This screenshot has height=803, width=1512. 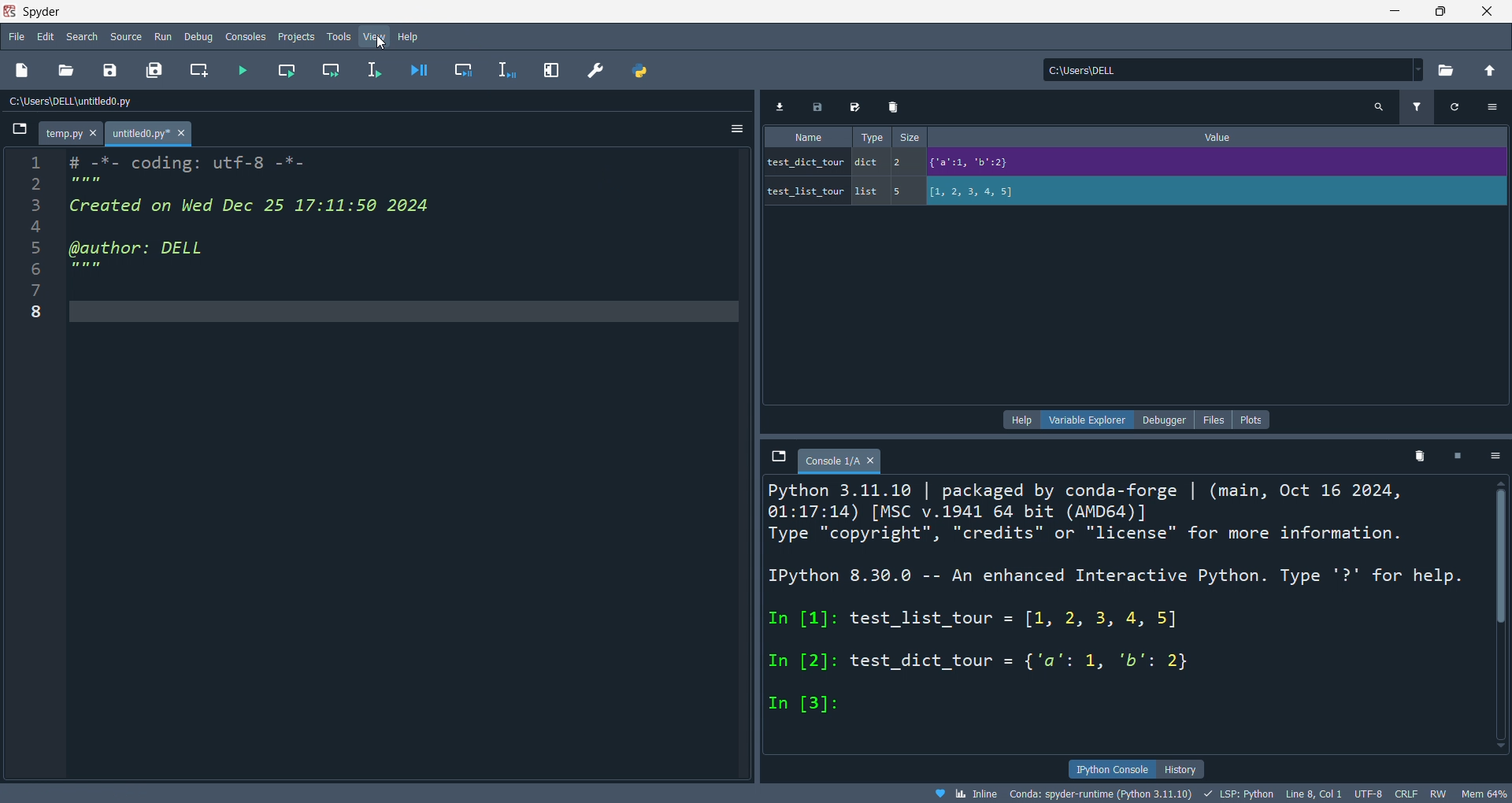 What do you see at coordinates (201, 36) in the screenshot?
I see `debug` at bounding box center [201, 36].